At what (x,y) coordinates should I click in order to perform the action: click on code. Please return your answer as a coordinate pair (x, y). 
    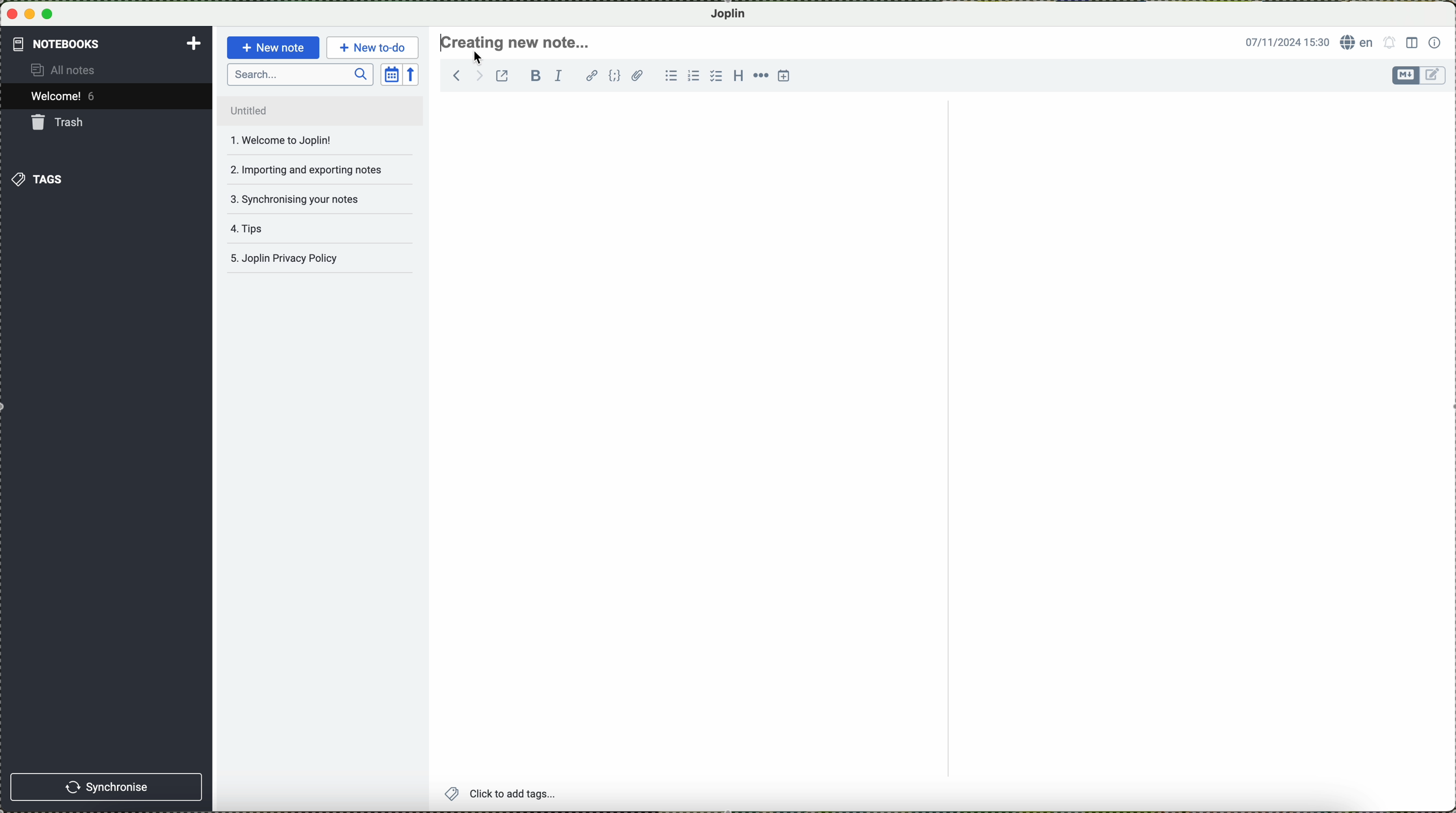
    Looking at the image, I should click on (616, 76).